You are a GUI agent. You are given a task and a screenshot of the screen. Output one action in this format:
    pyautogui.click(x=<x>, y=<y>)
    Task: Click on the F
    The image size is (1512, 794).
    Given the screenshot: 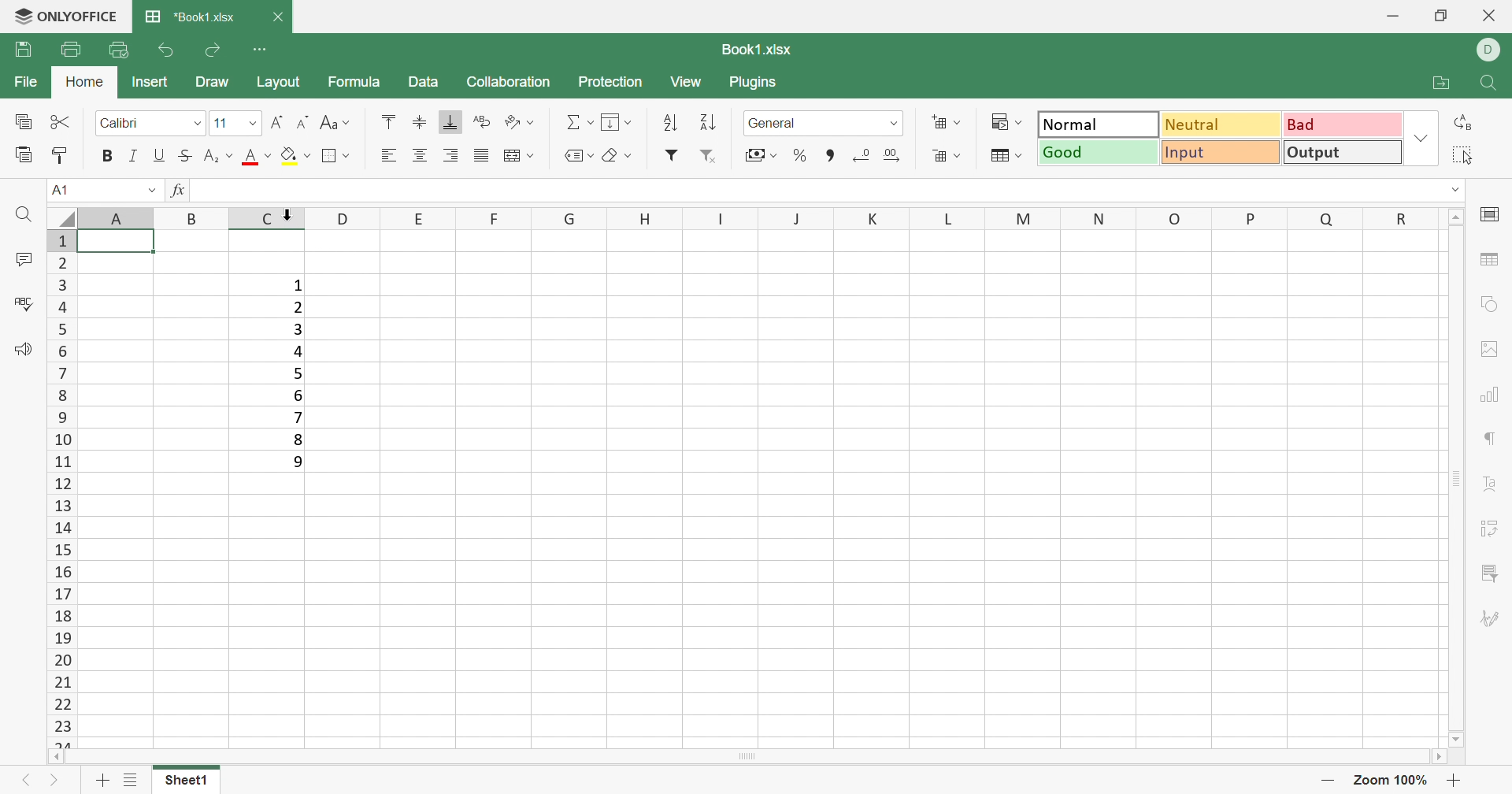 What is the action you would take?
    pyautogui.click(x=486, y=217)
    